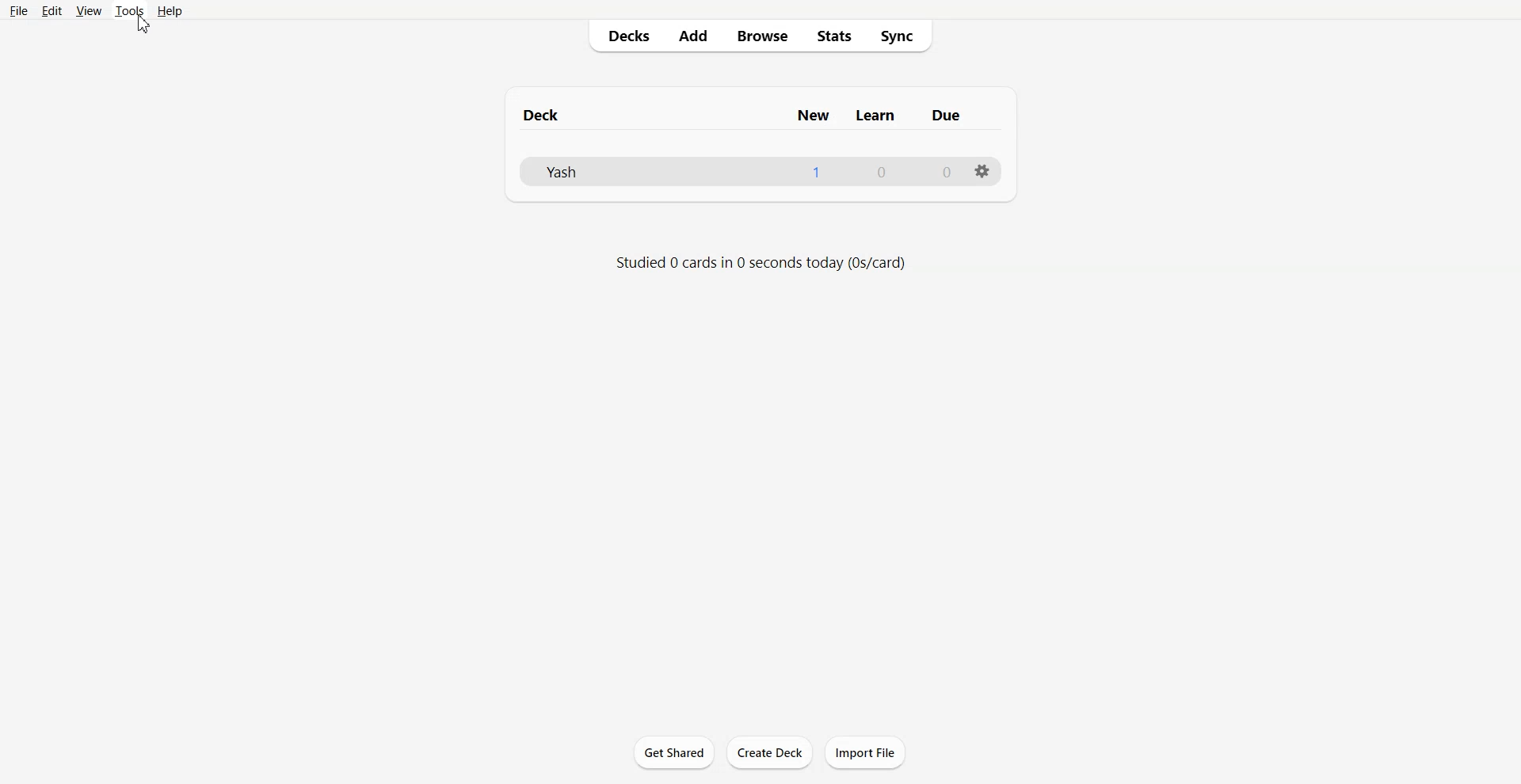  What do you see at coordinates (170, 11) in the screenshot?
I see `Help` at bounding box center [170, 11].